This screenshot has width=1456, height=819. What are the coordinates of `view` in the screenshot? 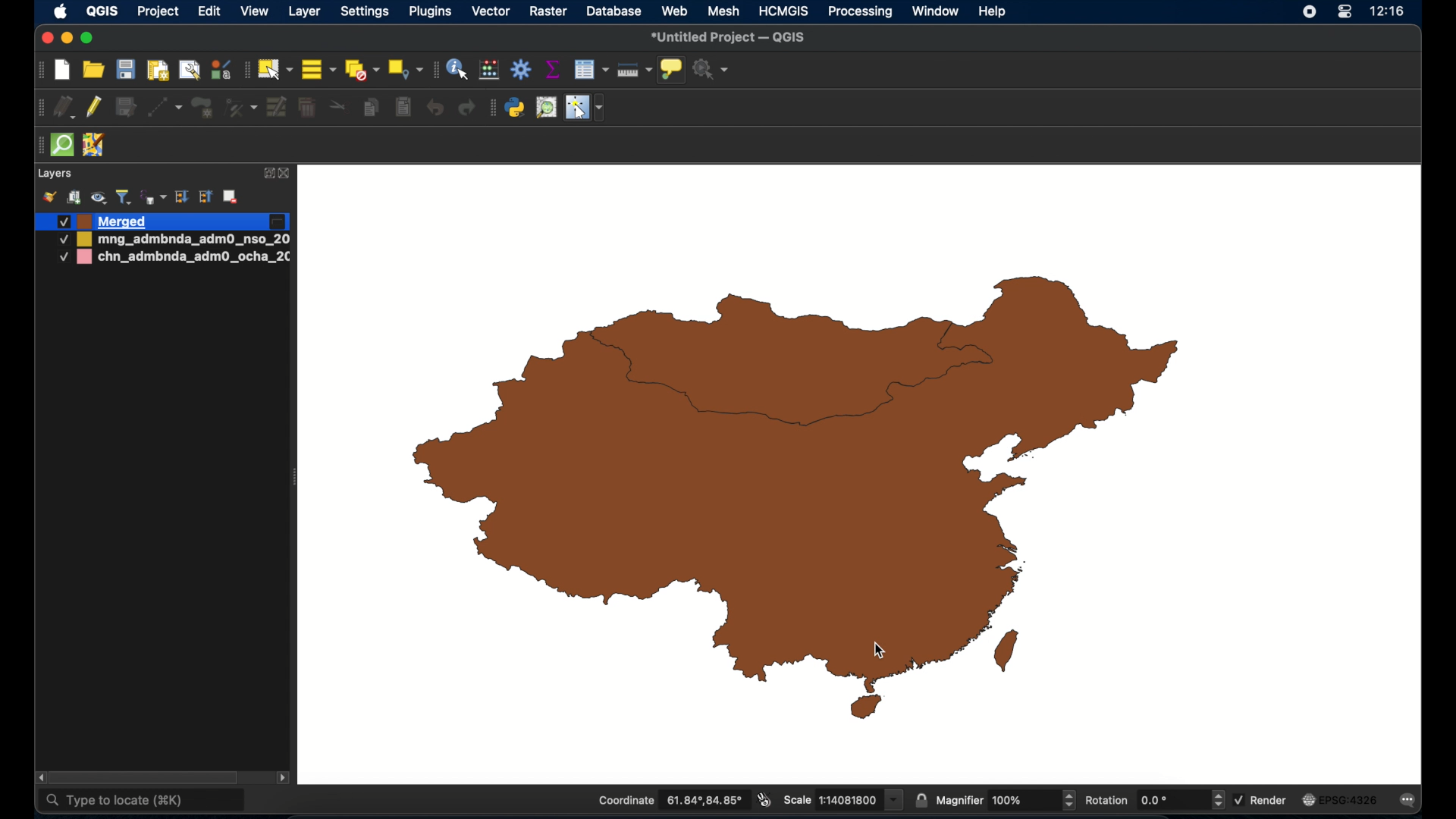 It's located at (255, 13).